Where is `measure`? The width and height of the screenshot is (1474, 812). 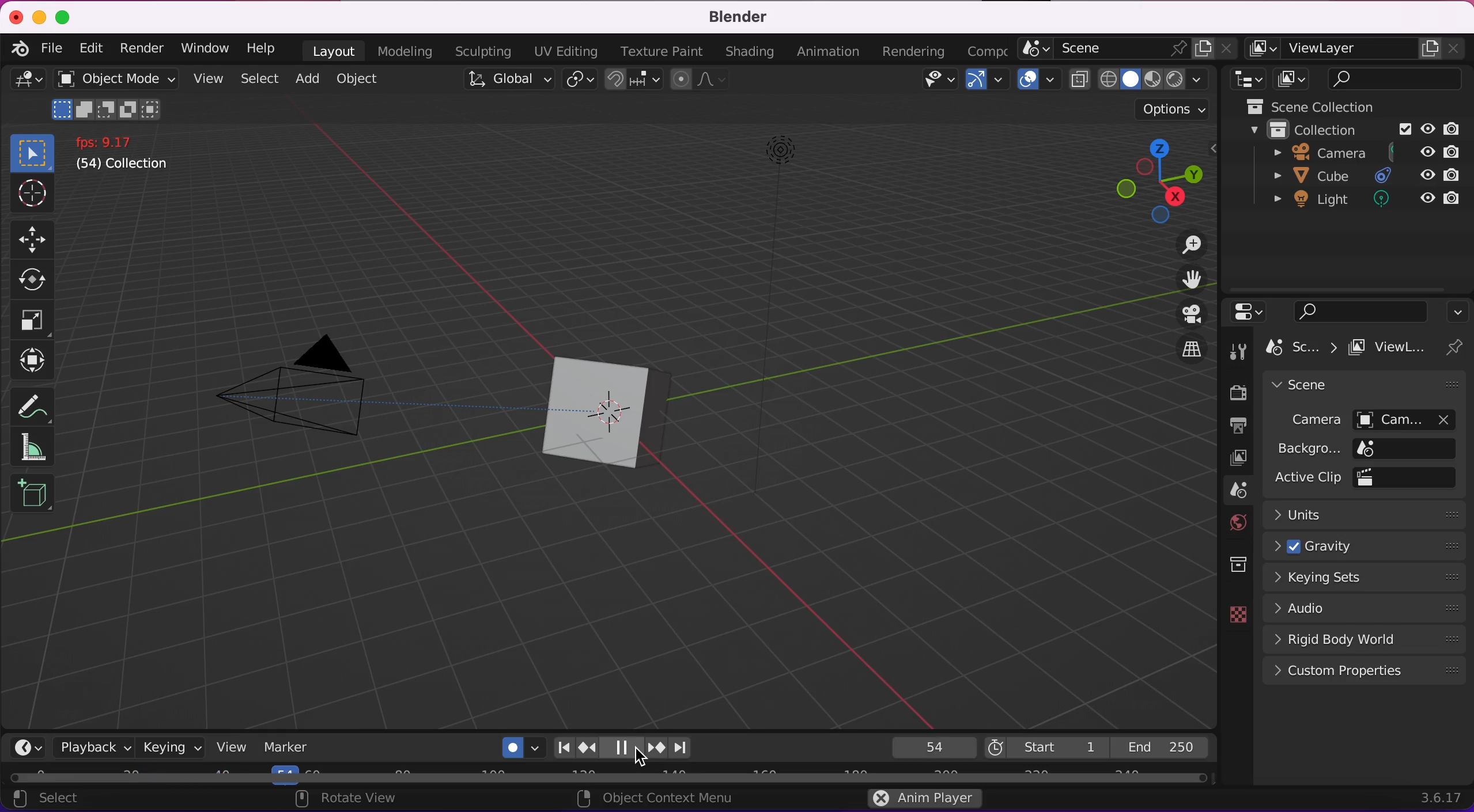 measure is located at coordinates (31, 449).